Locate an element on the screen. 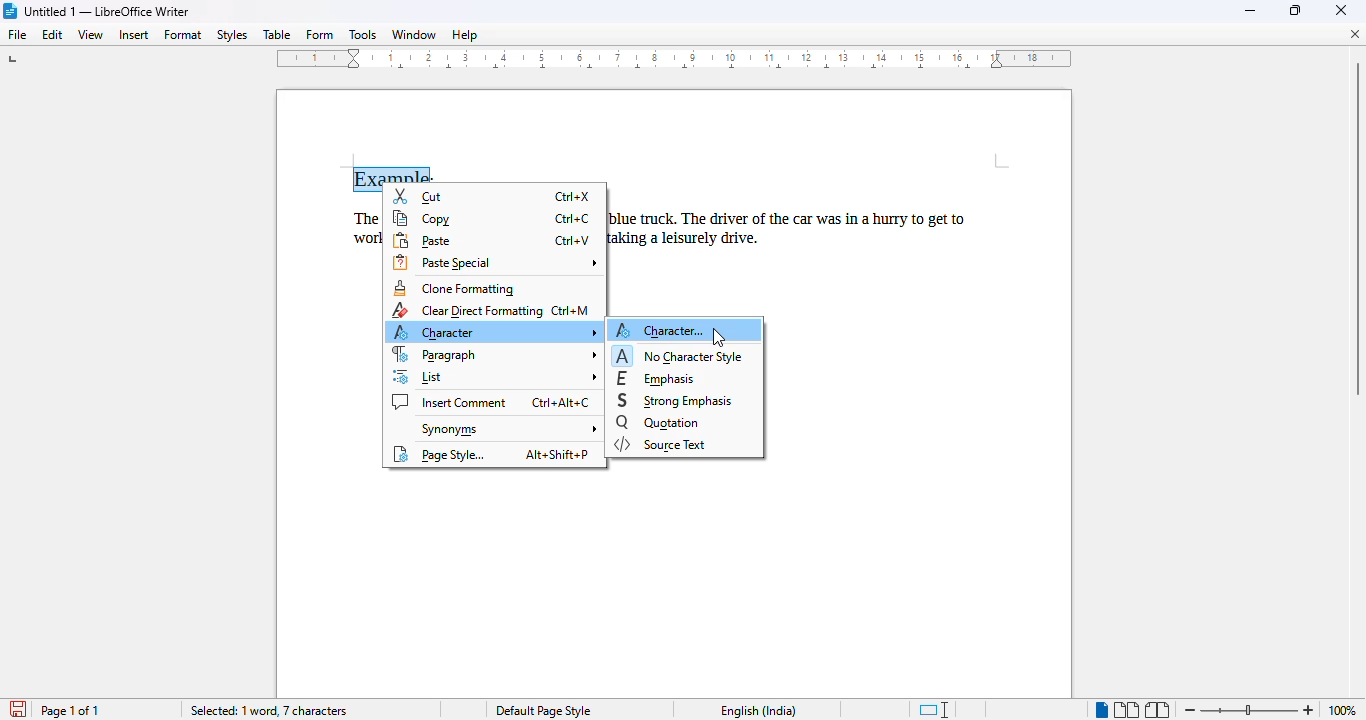 This screenshot has width=1366, height=720. list is located at coordinates (495, 377).